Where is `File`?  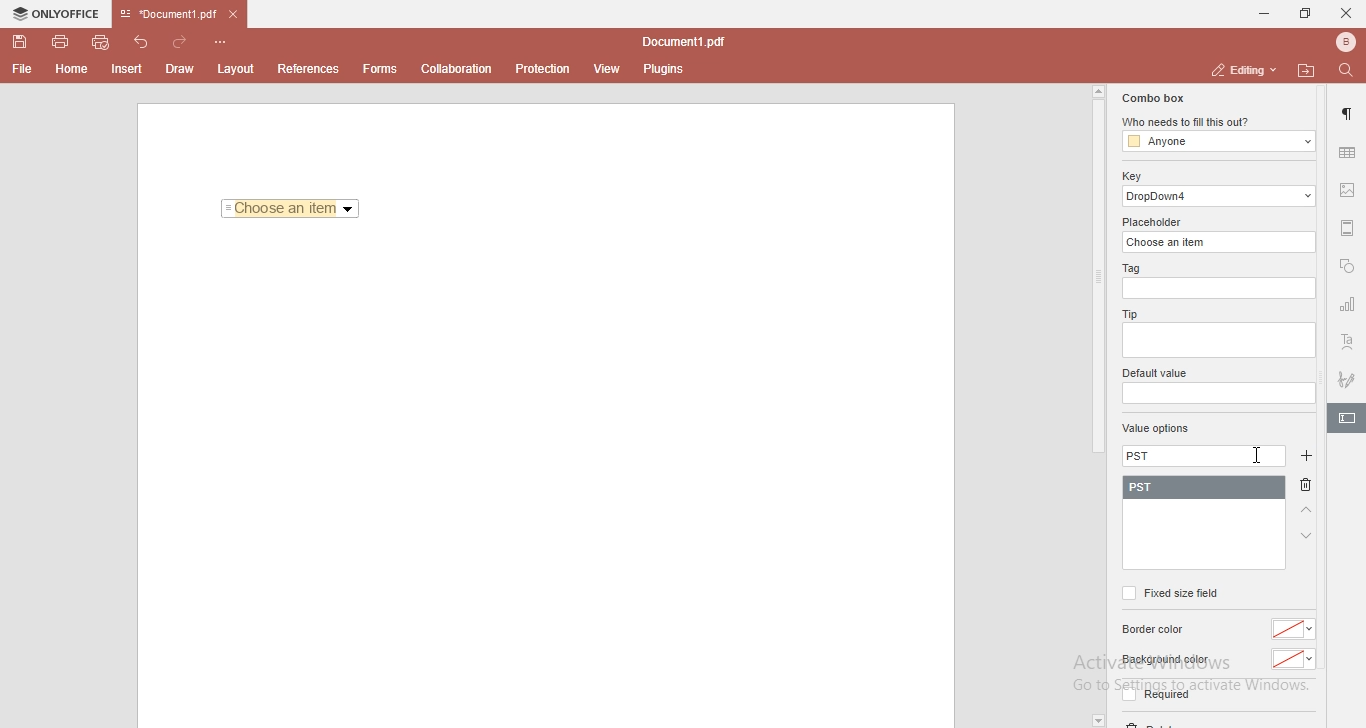
File is located at coordinates (20, 69).